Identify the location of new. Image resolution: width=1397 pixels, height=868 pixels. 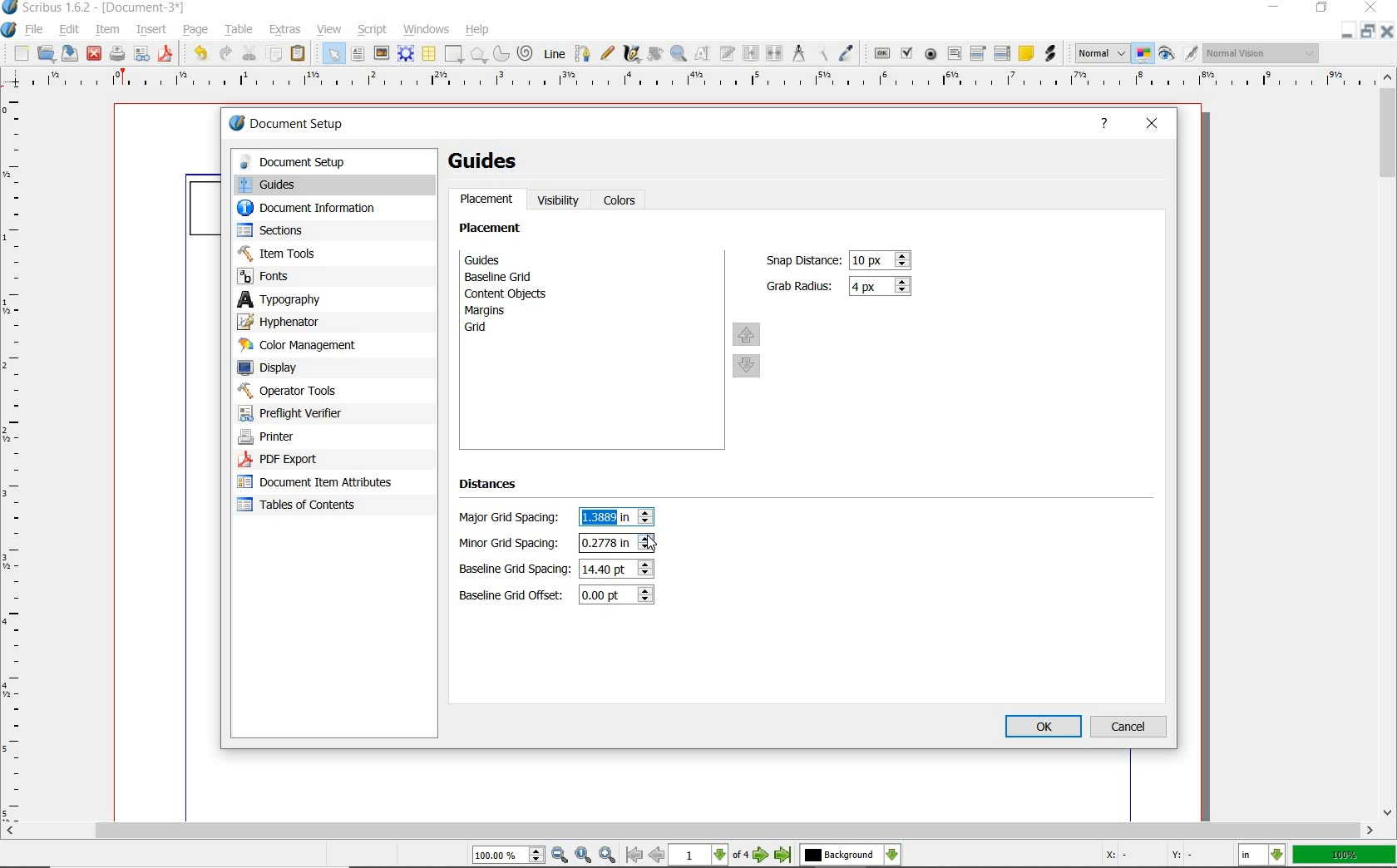
(19, 53).